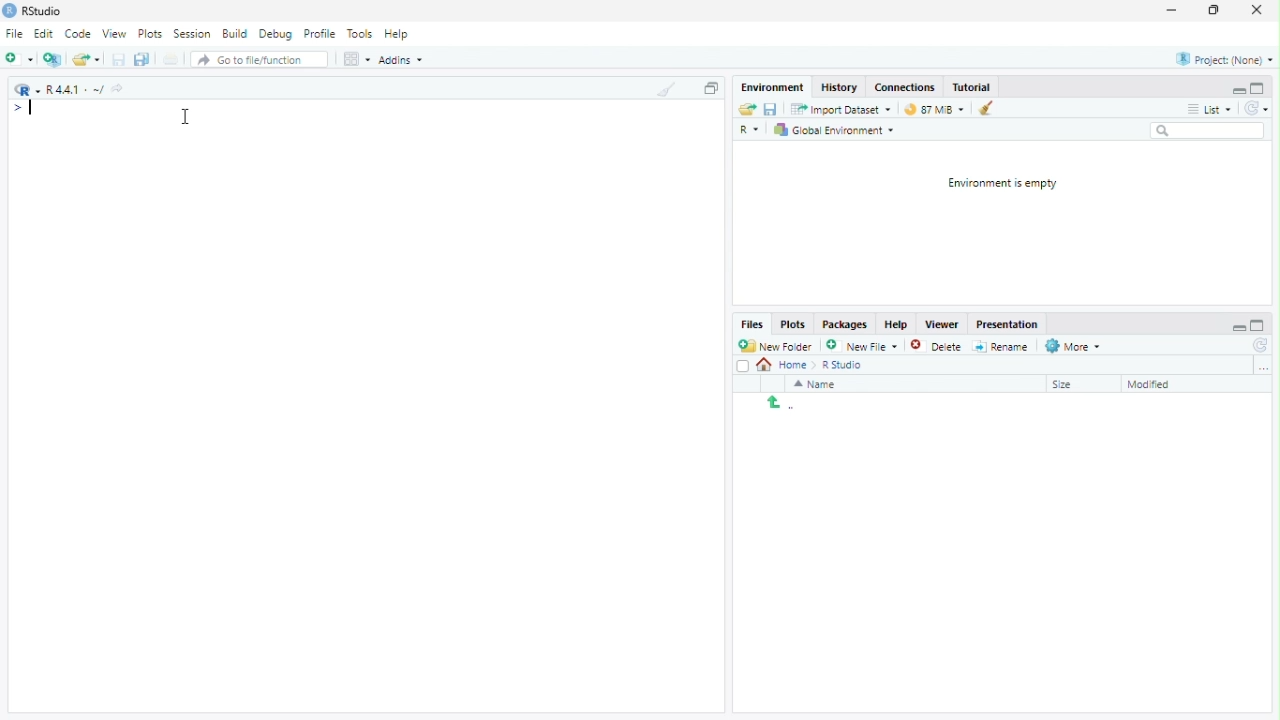 The height and width of the screenshot is (720, 1280). I want to click on History, so click(841, 86).